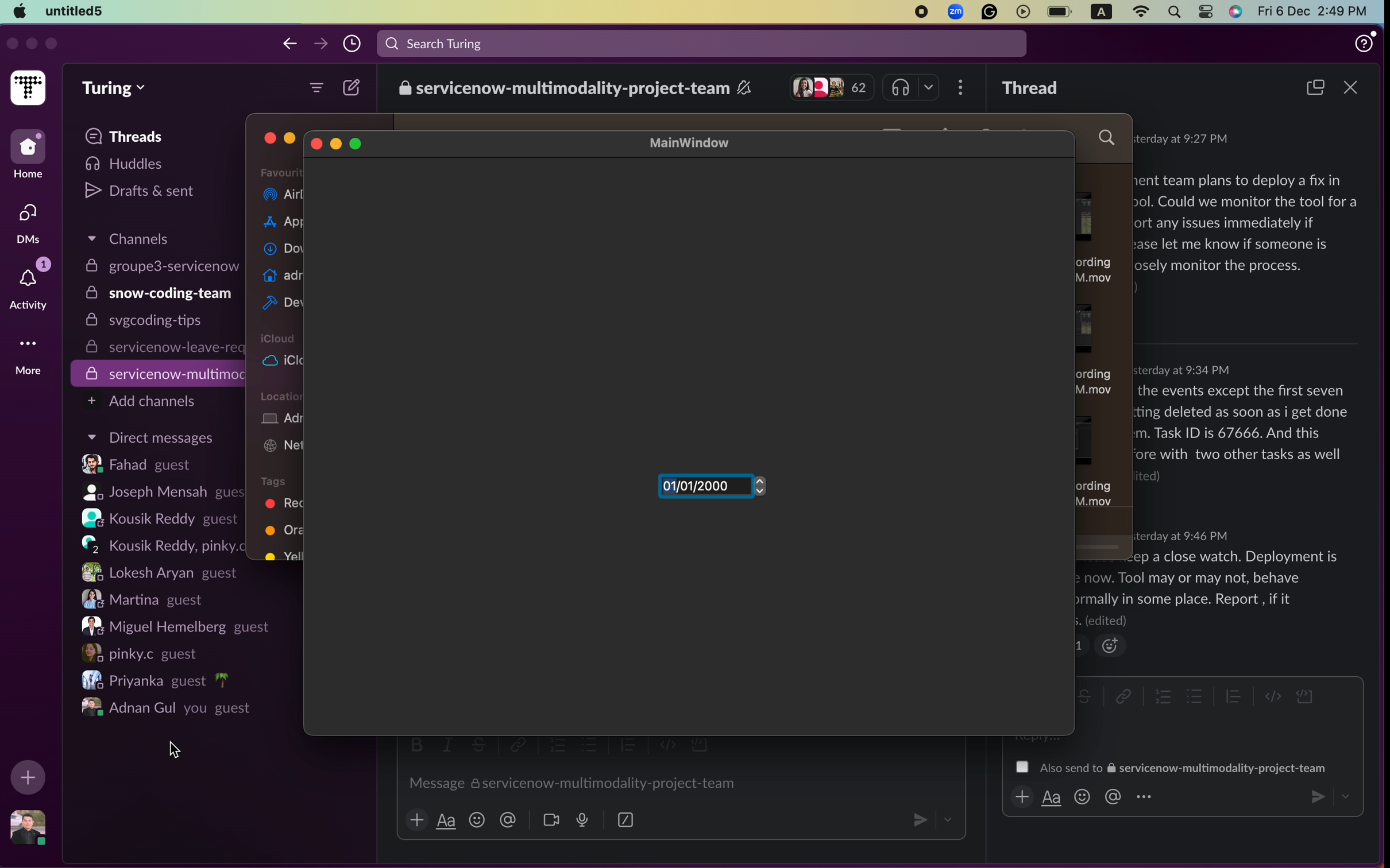  What do you see at coordinates (551, 819) in the screenshot?
I see `video` at bounding box center [551, 819].